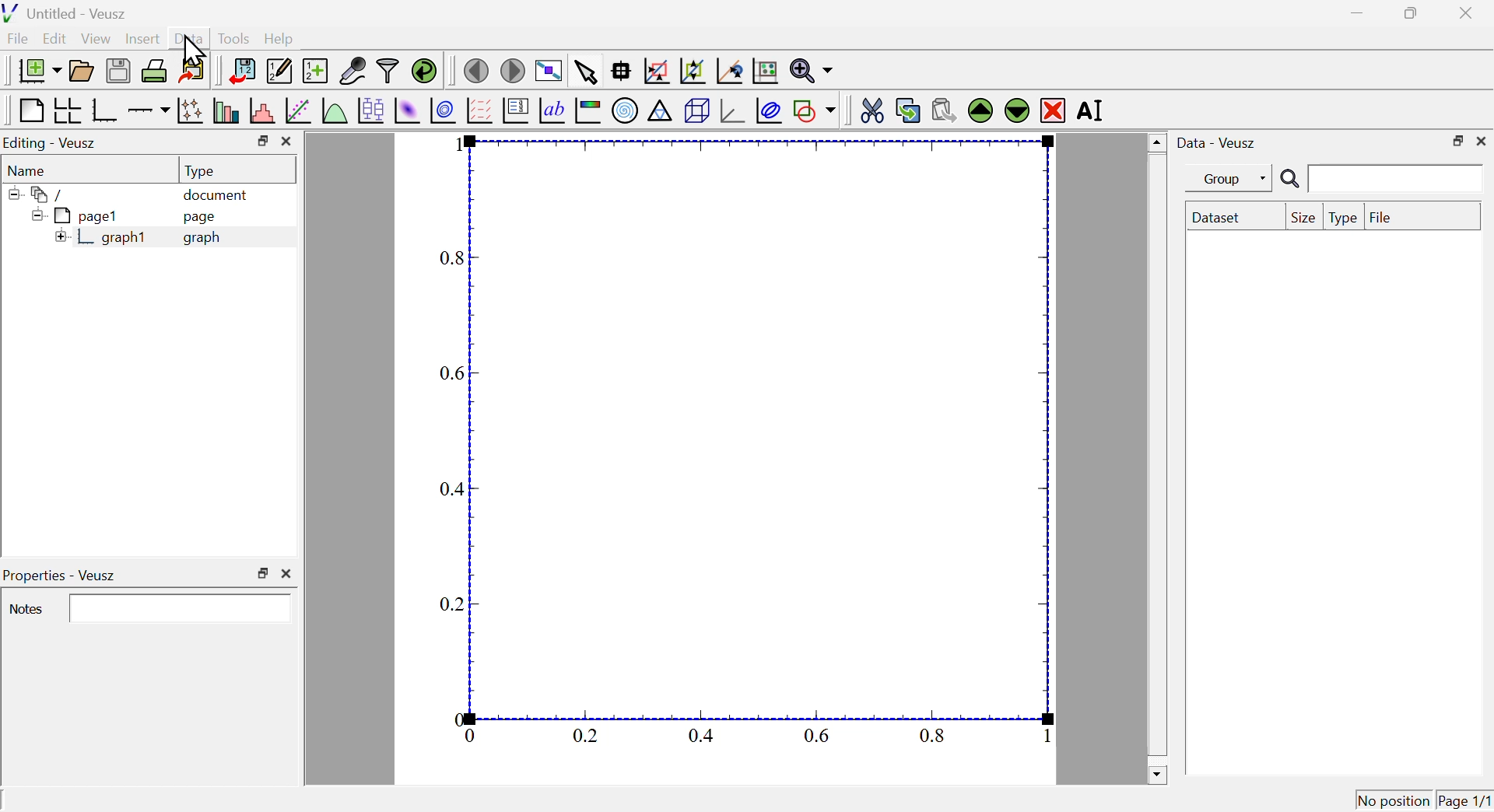  What do you see at coordinates (470, 736) in the screenshot?
I see `0` at bounding box center [470, 736].